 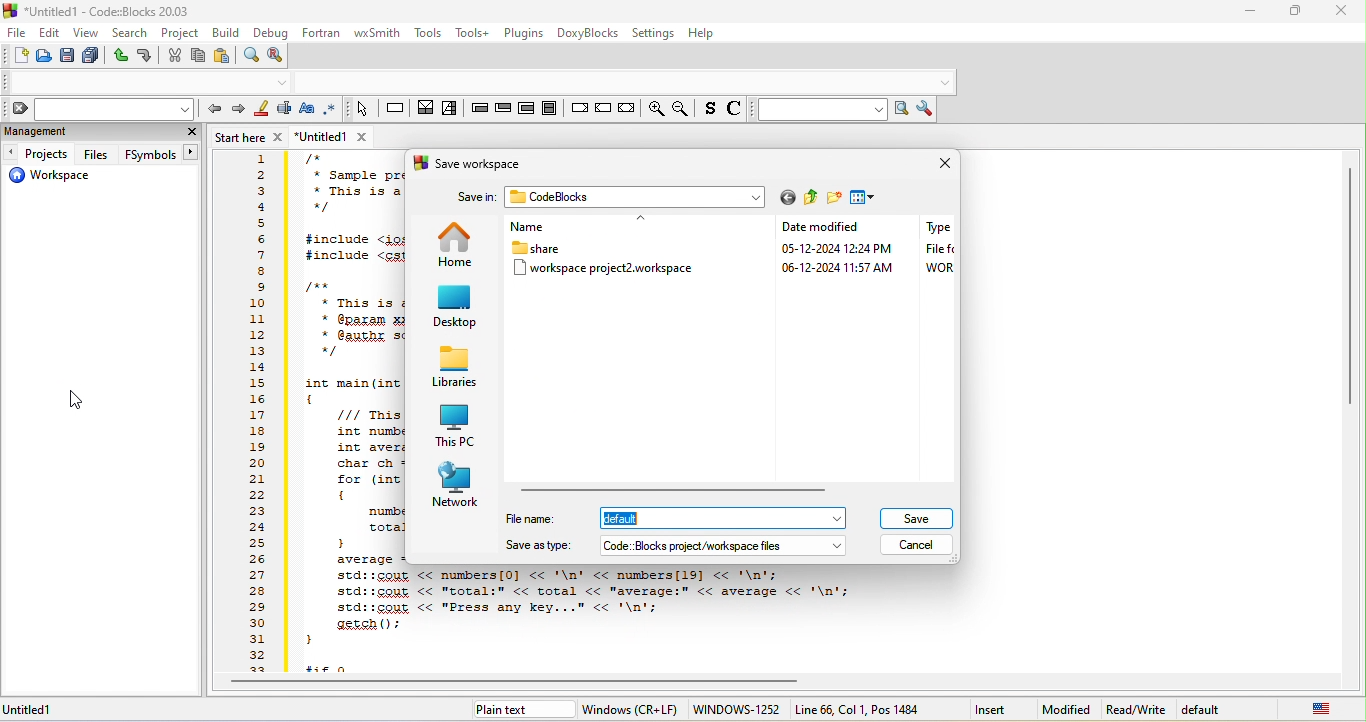 I want to click on search, so click(x=130, y=32).